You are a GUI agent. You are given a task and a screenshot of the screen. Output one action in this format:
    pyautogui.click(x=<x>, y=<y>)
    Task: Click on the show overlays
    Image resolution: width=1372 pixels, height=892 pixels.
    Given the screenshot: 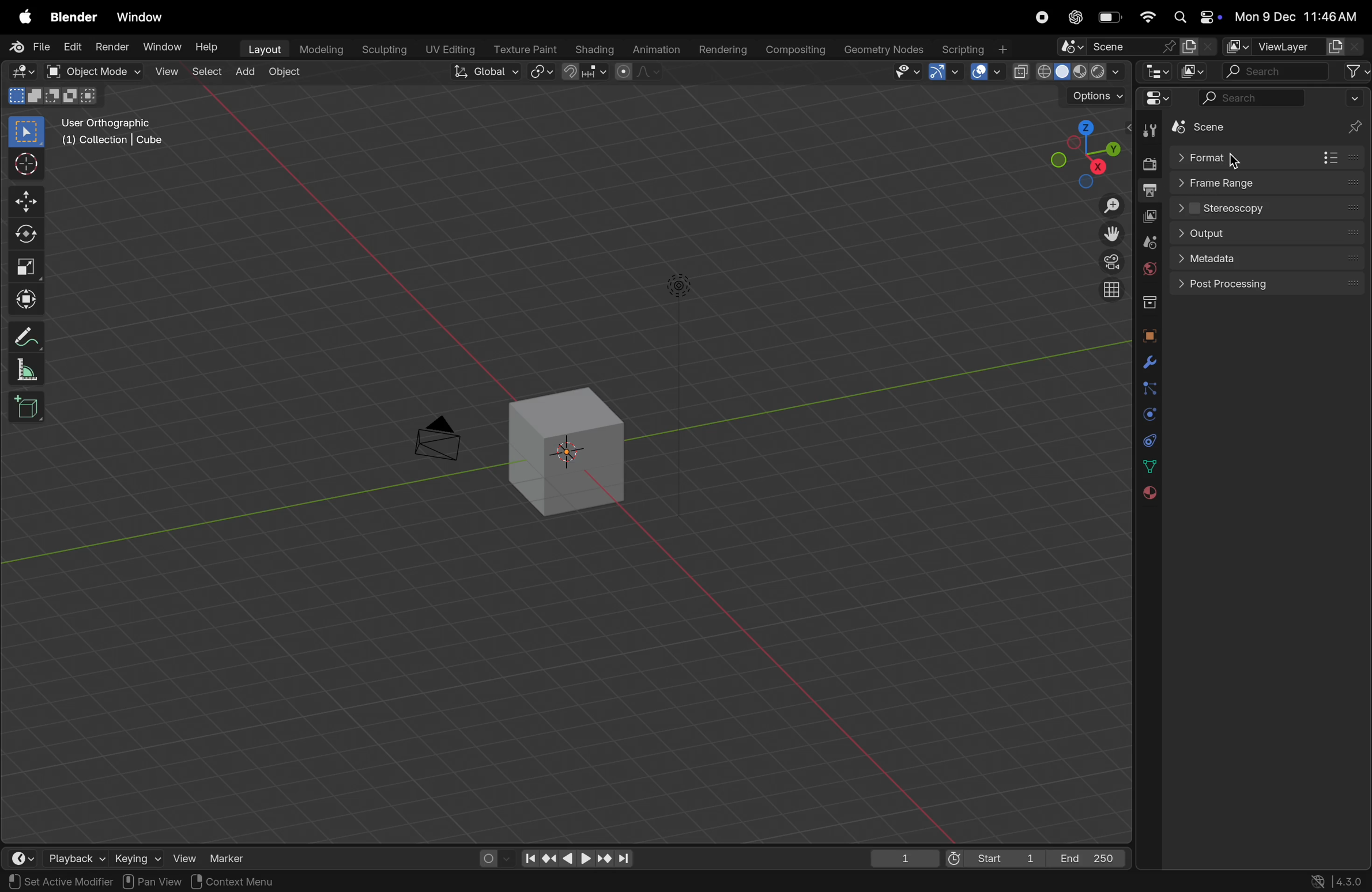 What is the action you would take?
    pyautogui.click(x=981, y=73)
    